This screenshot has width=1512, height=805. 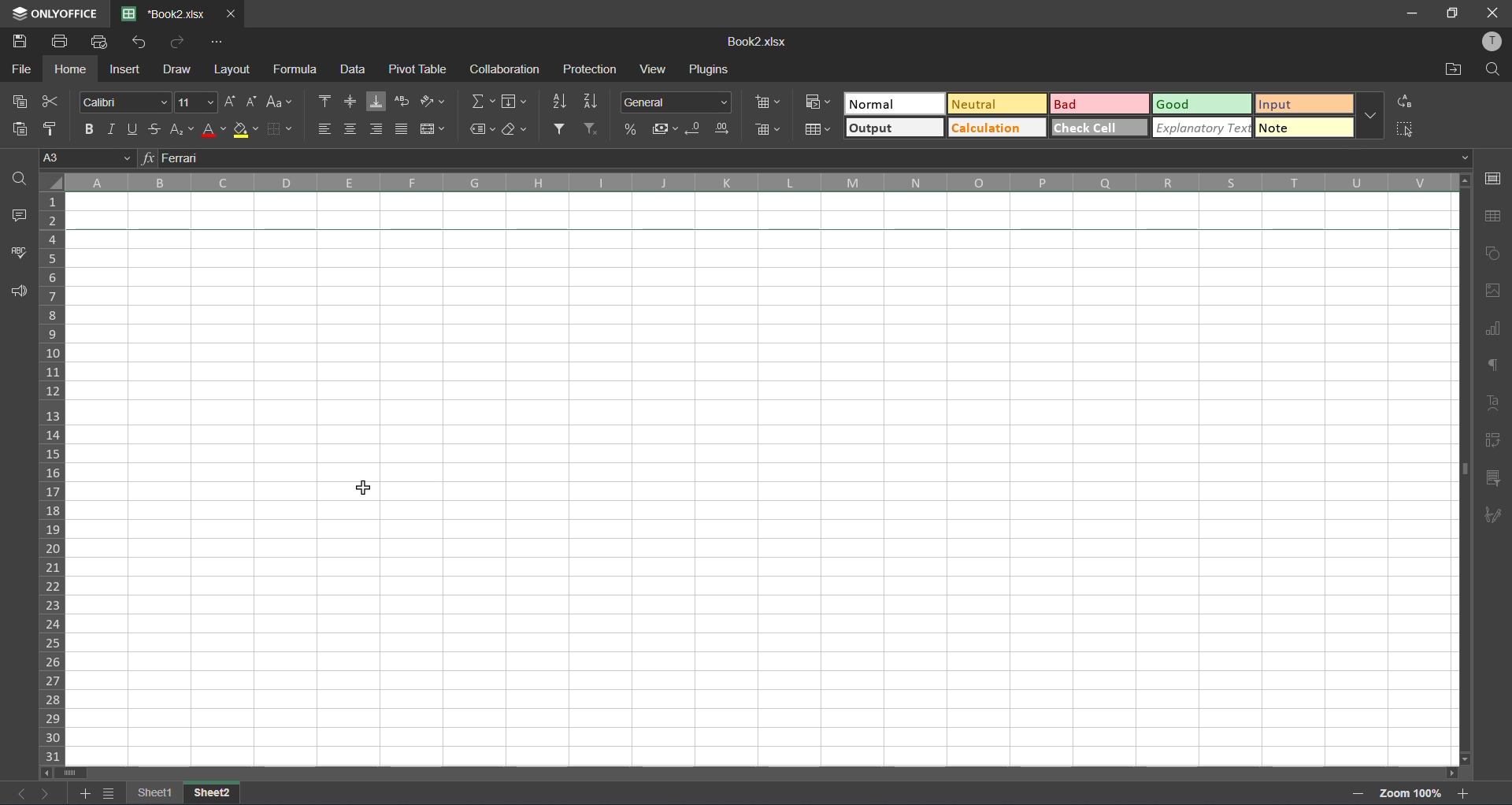 What do you see at coordinates (351, 102) in the screenshot?
I see `align middle` at bounding box center [351, 102].